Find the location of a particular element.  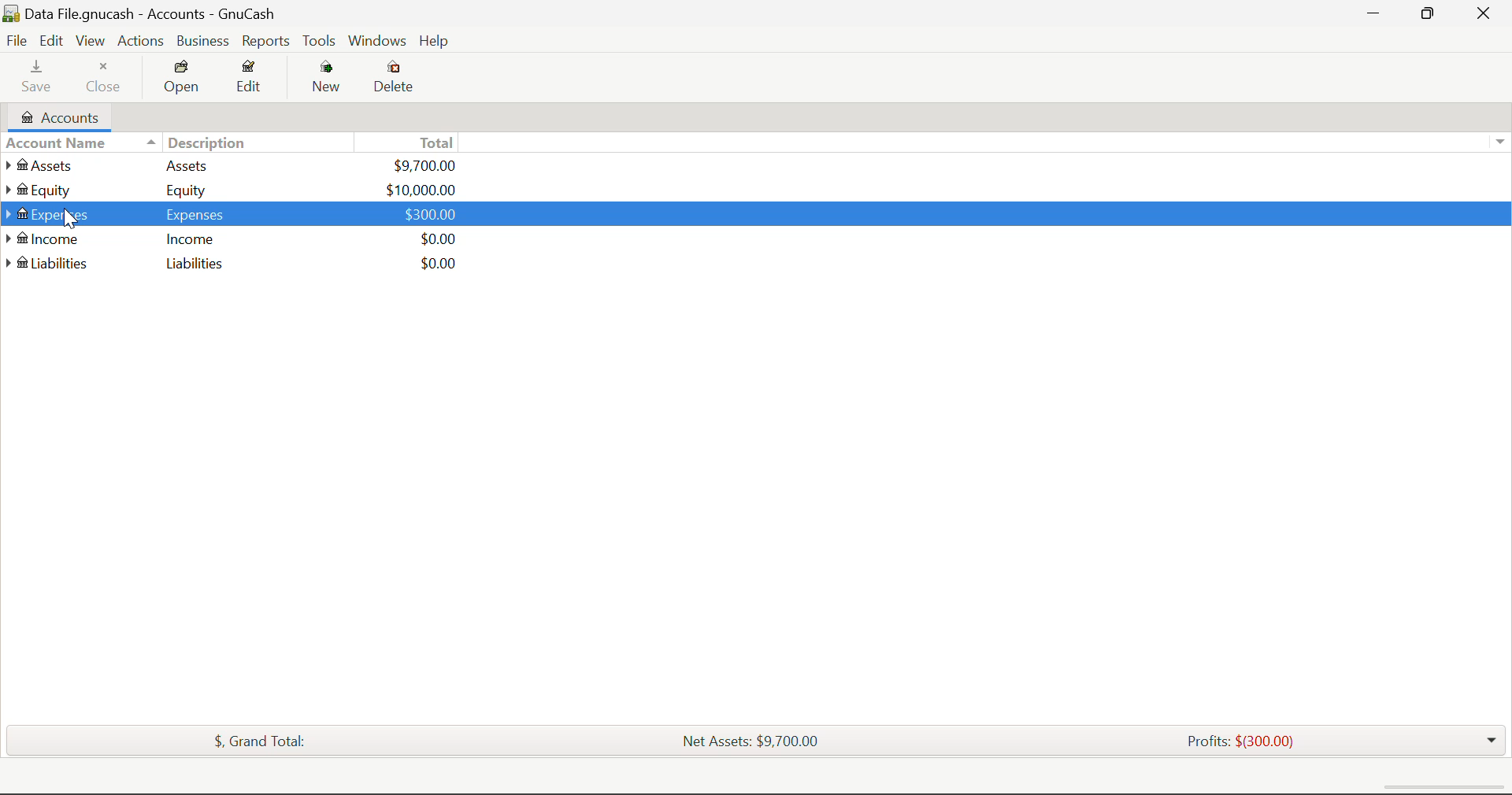

Description is located at coordinates (200, 144).